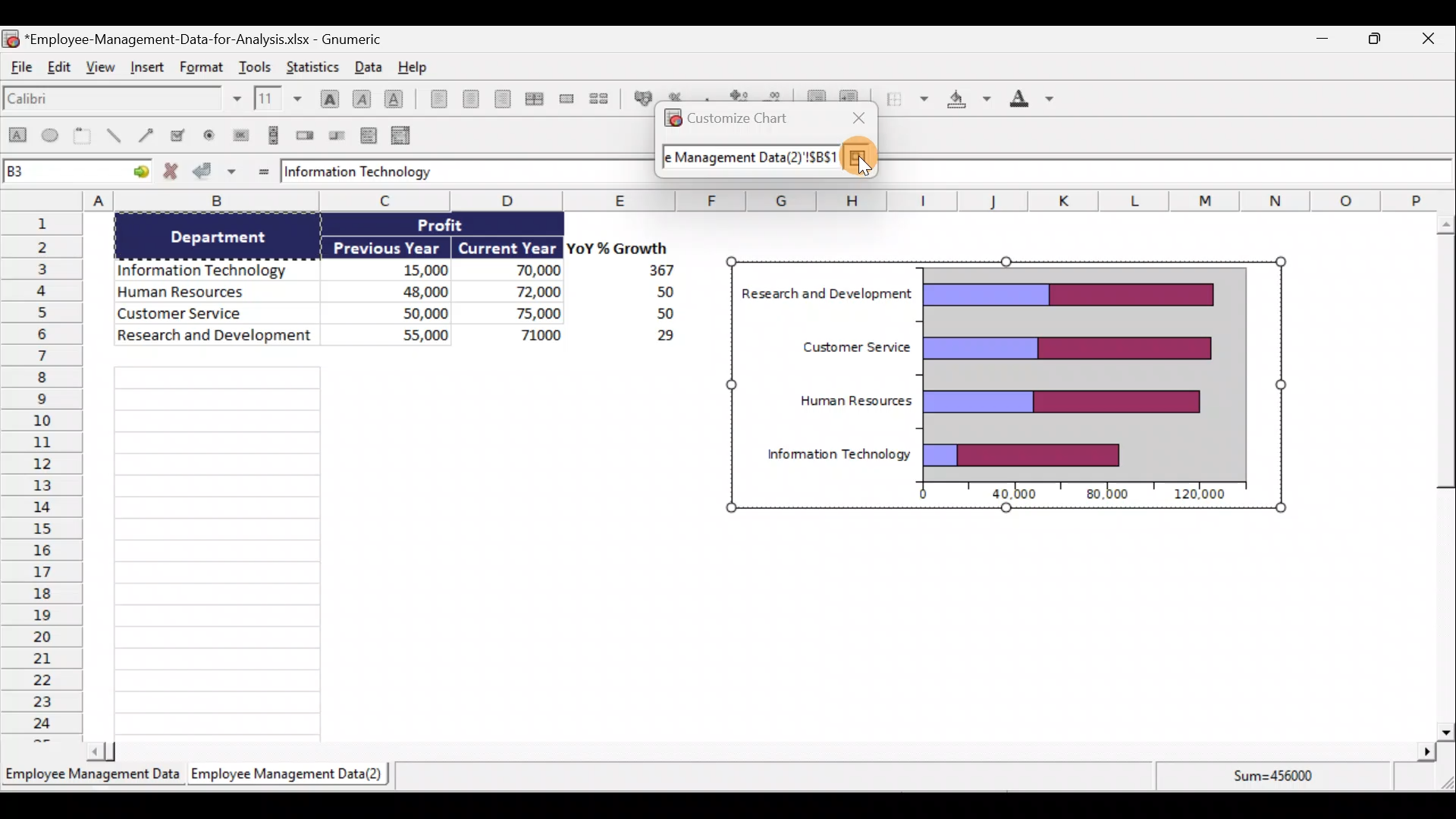 This screenshot has width=1456, height=819. Describe the element at coordinates (62, 71) in the screenshot. I see `Edit` at that location.